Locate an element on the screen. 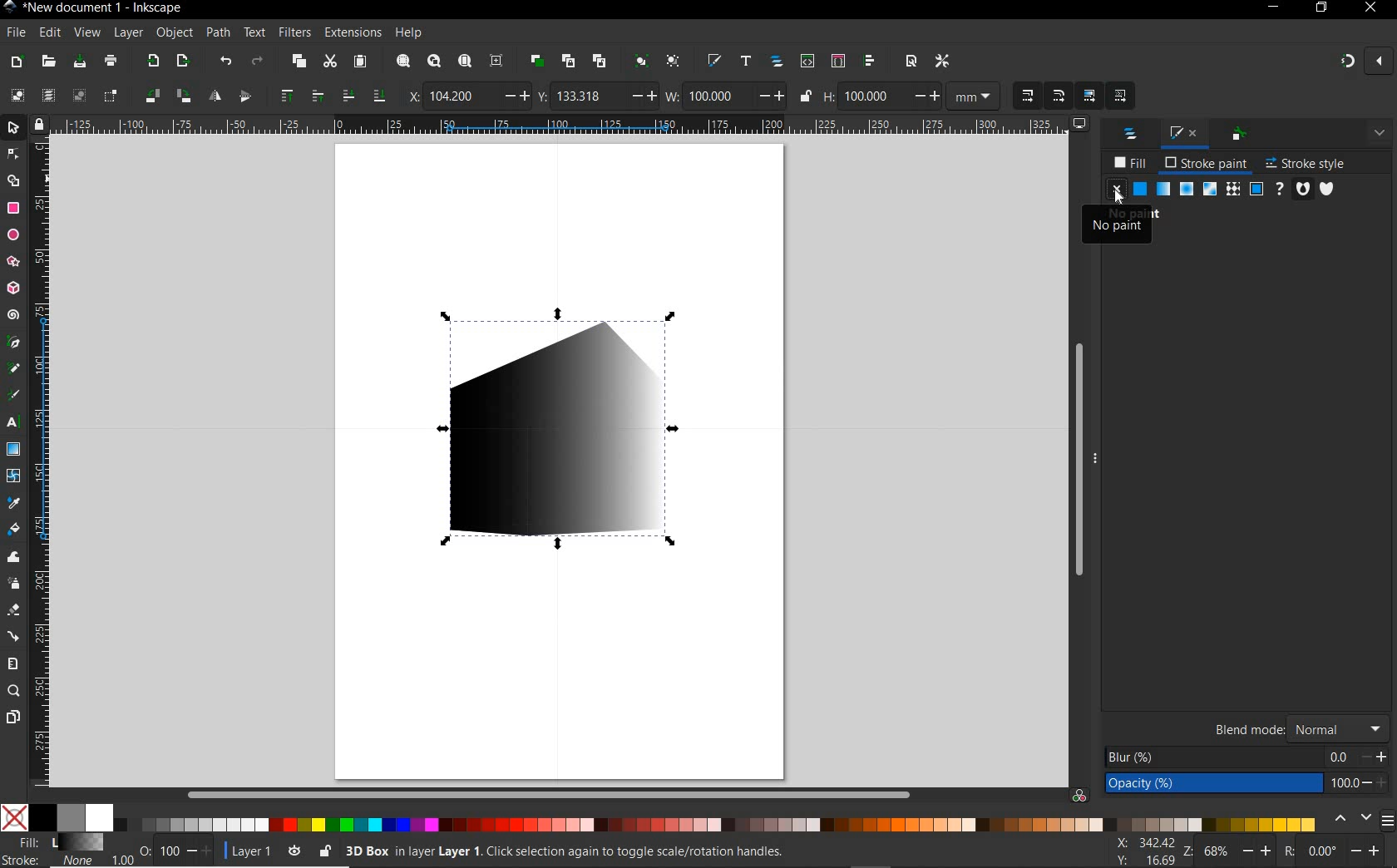  NO OBJECTS SELECTED is located at coordinates (655, 854).